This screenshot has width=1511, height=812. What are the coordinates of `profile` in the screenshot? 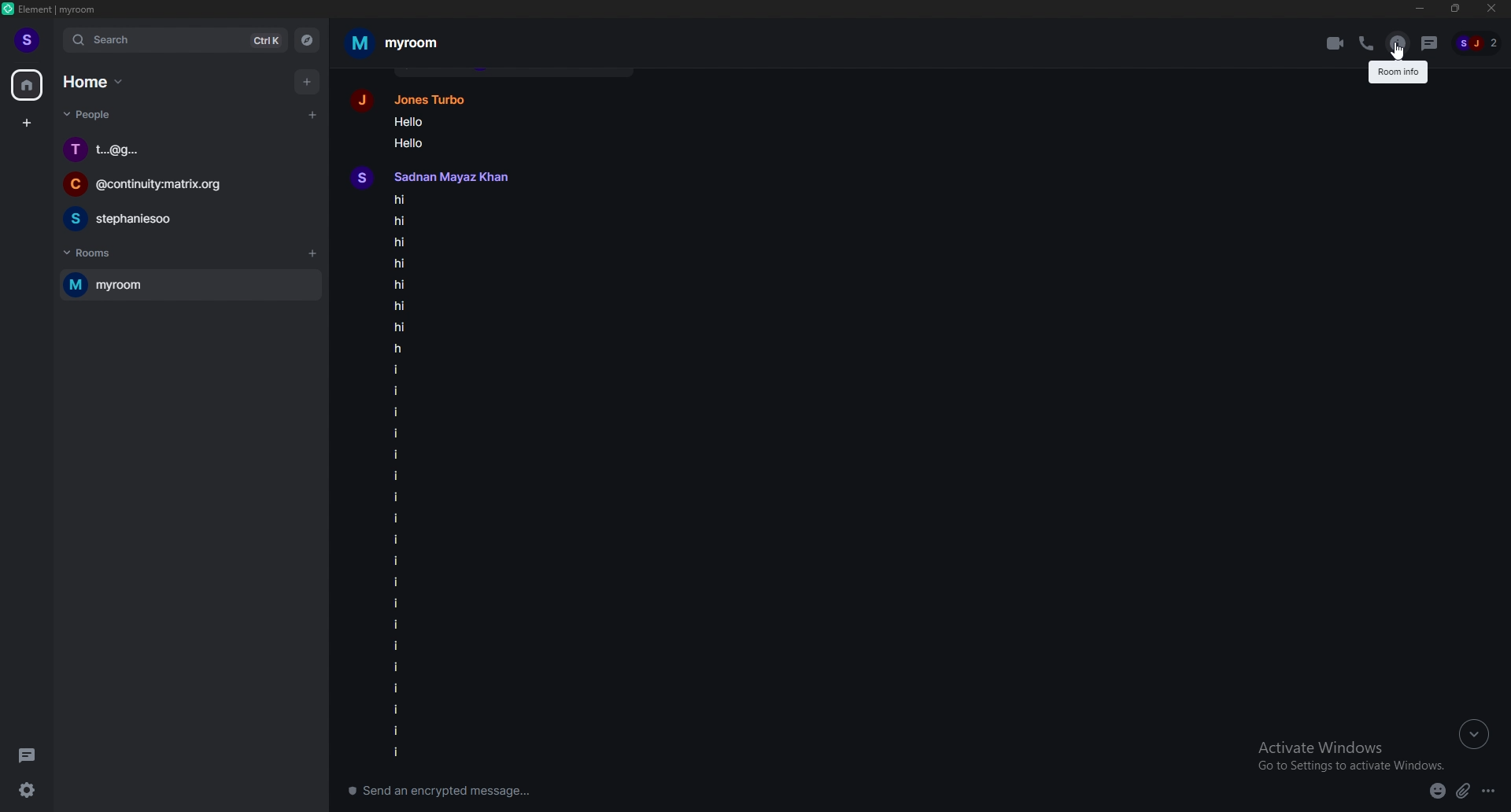 It's located at (29, 39).